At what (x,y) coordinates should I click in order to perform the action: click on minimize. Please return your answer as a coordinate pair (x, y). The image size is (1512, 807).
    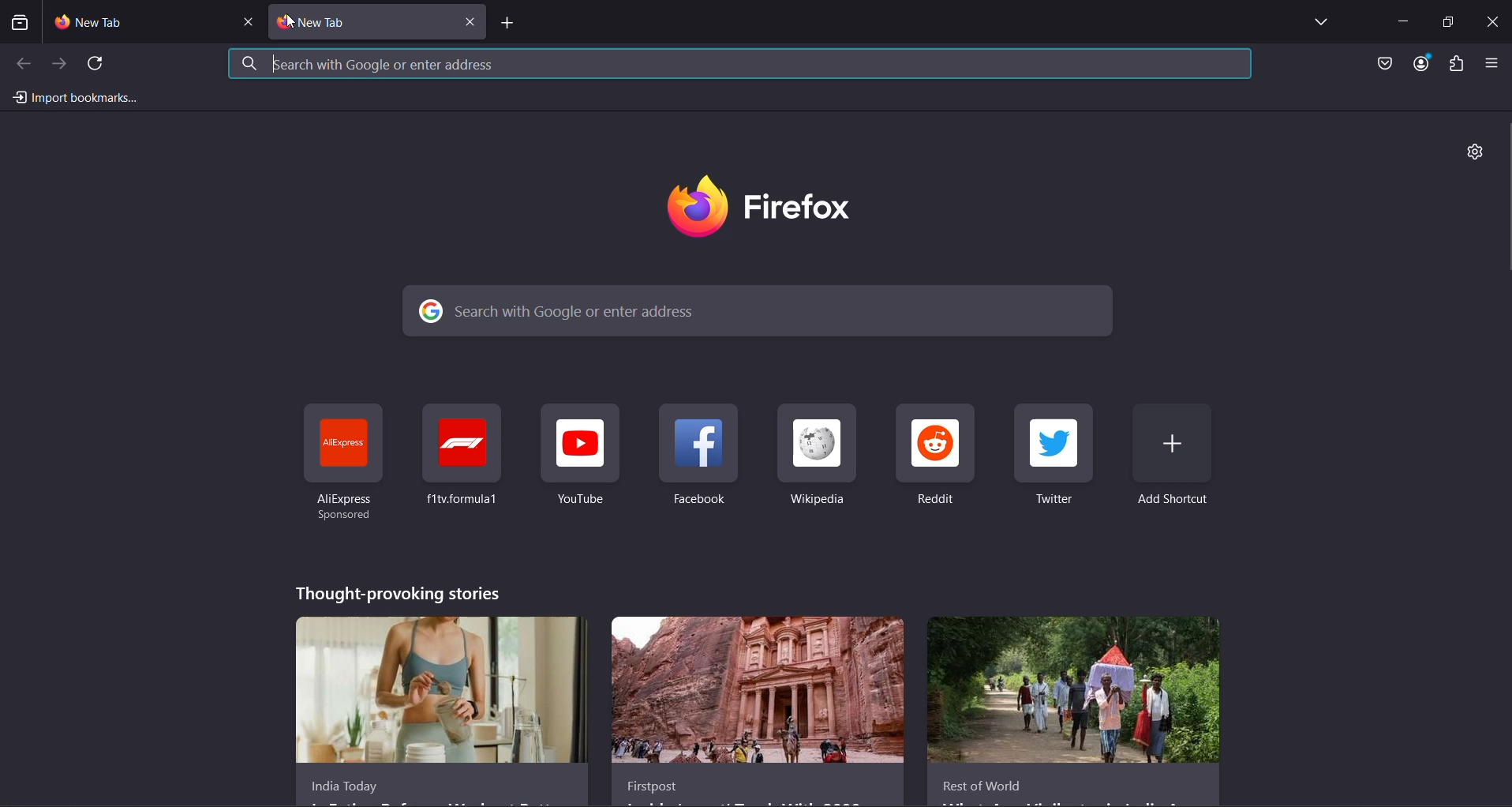
    Looking at the image, I should click on (1405, 18).